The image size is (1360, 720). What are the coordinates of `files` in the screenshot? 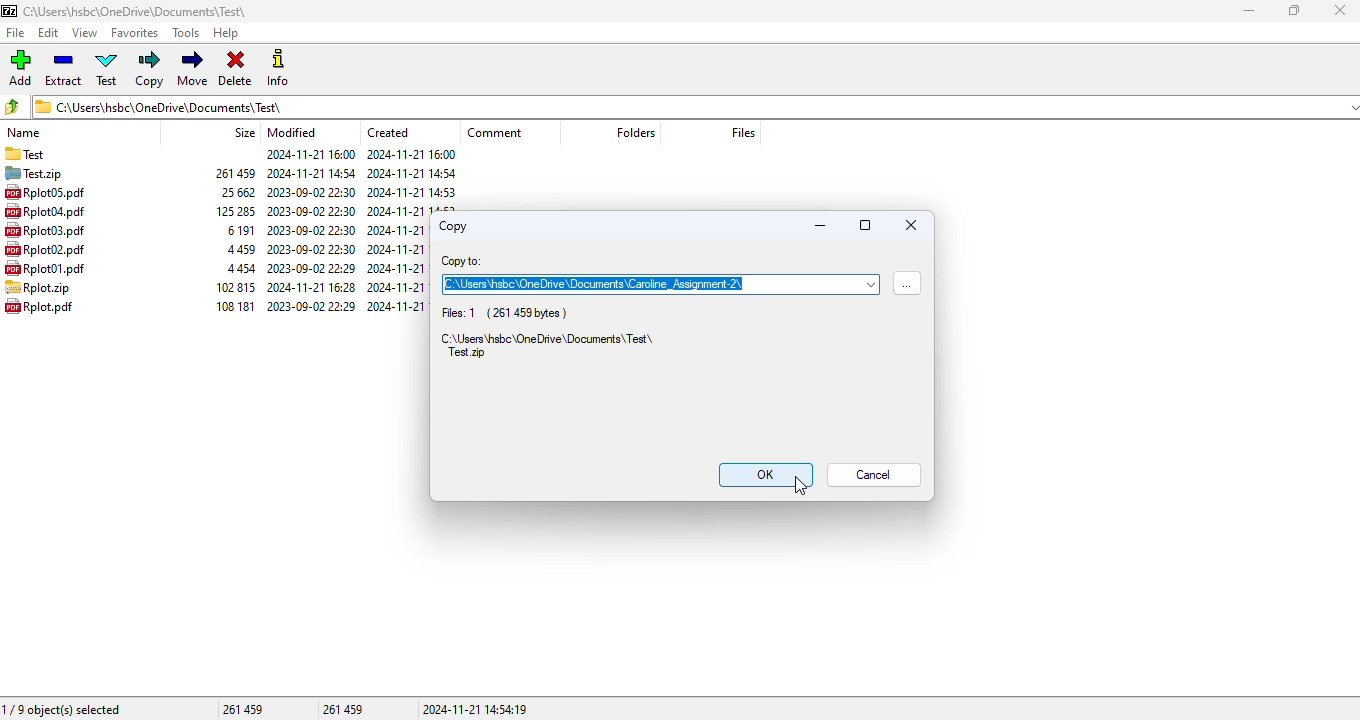 It's located at (742, 132).